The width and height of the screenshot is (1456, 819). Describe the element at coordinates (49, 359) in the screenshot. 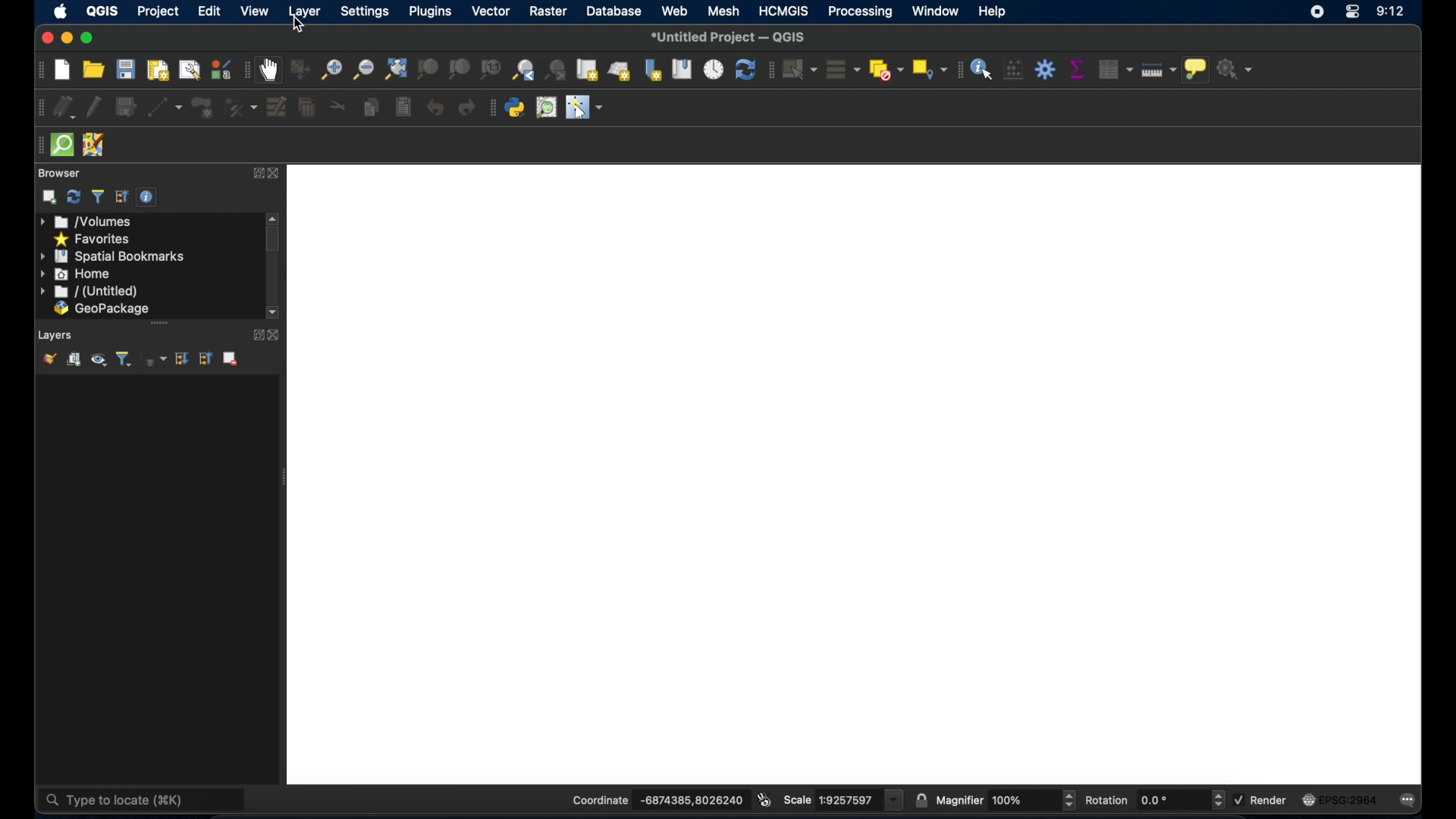

I see `show layer styling panel` at that location.